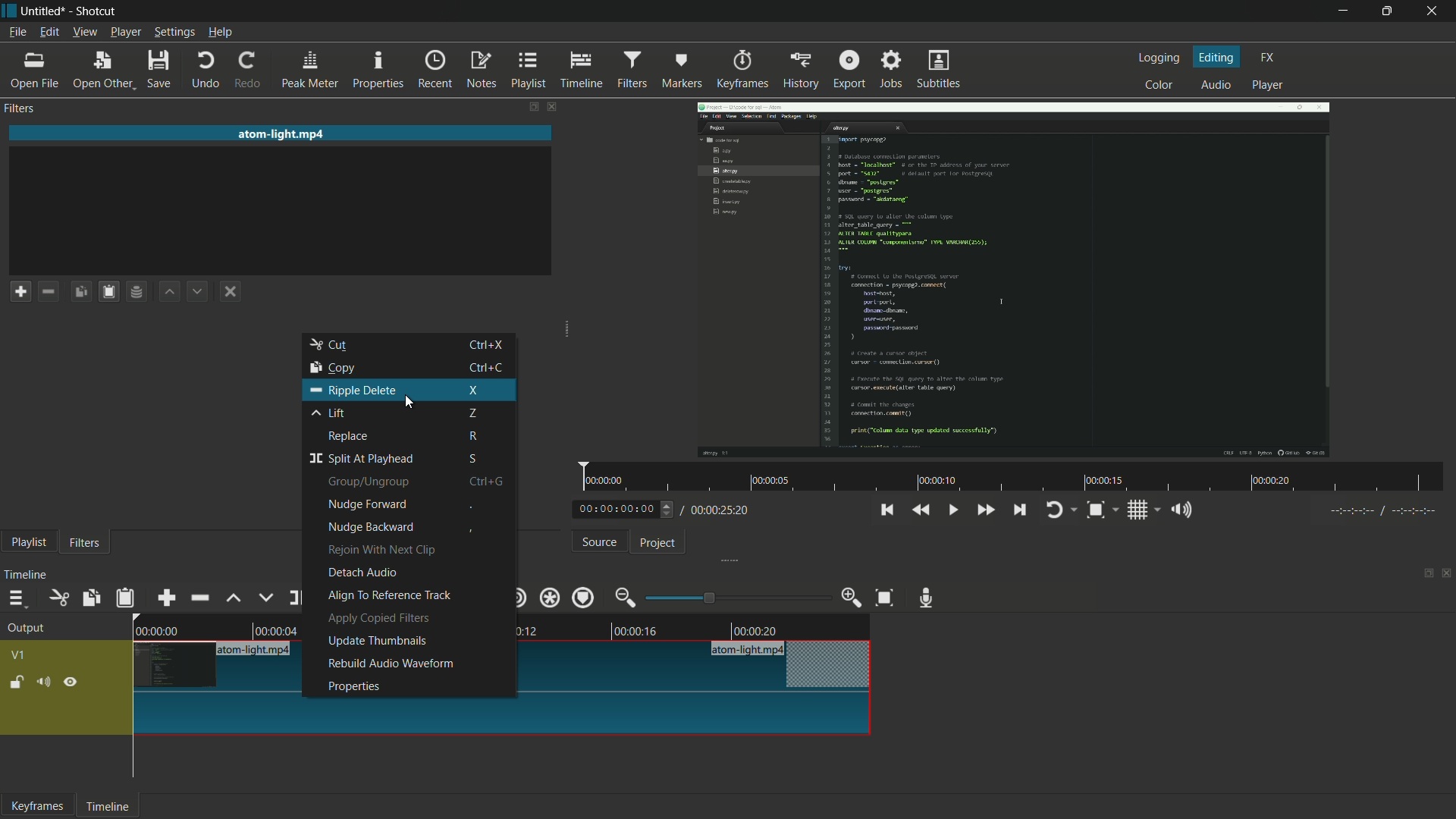 This screenshot has width=1456, height=819. What do you see at coordinates (1447, 574) in the screenshot?
I see `close timeline pane` at bounding box center [1447, 574].